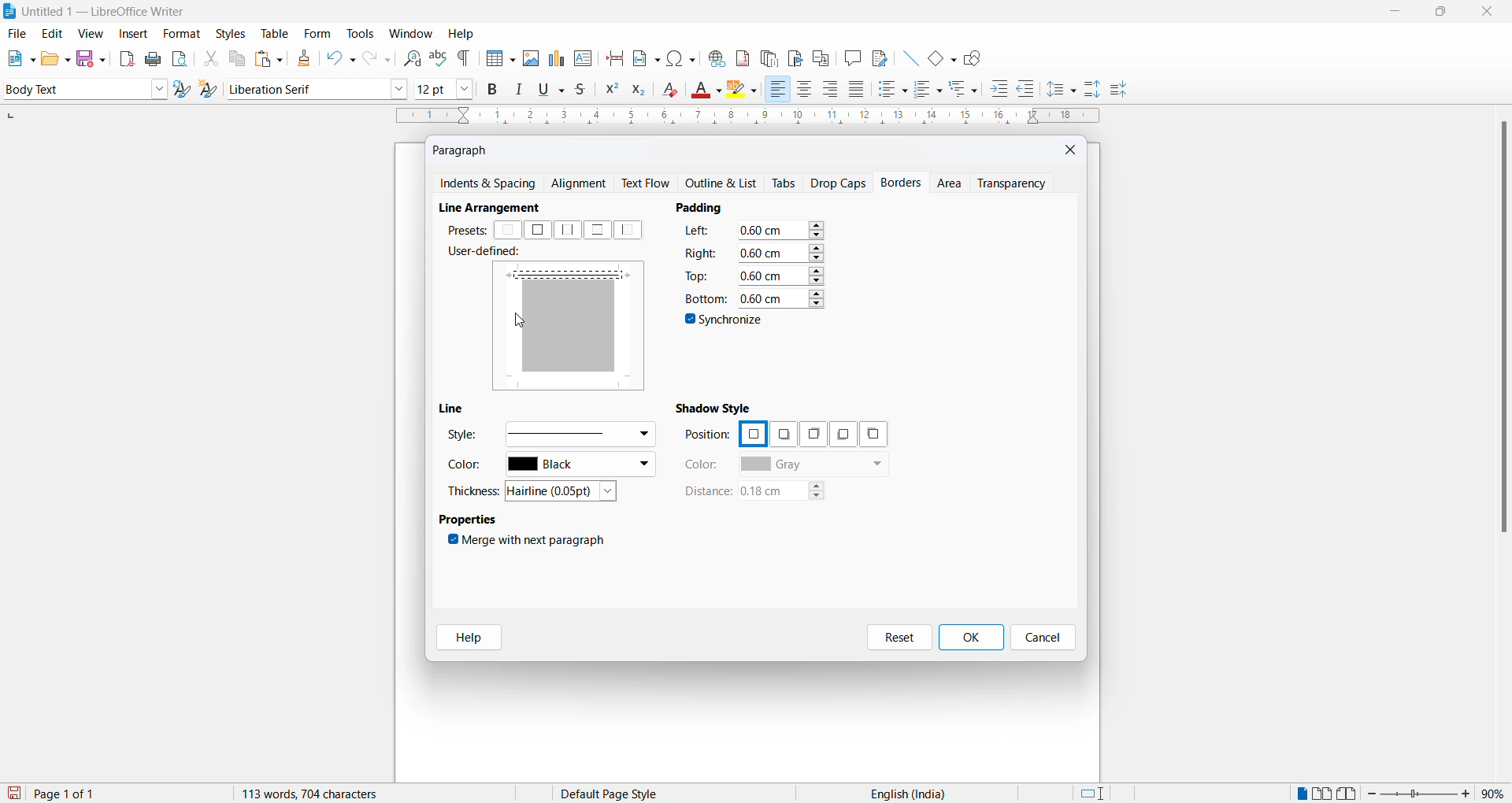  I want to click on close, so click(1491, 13).